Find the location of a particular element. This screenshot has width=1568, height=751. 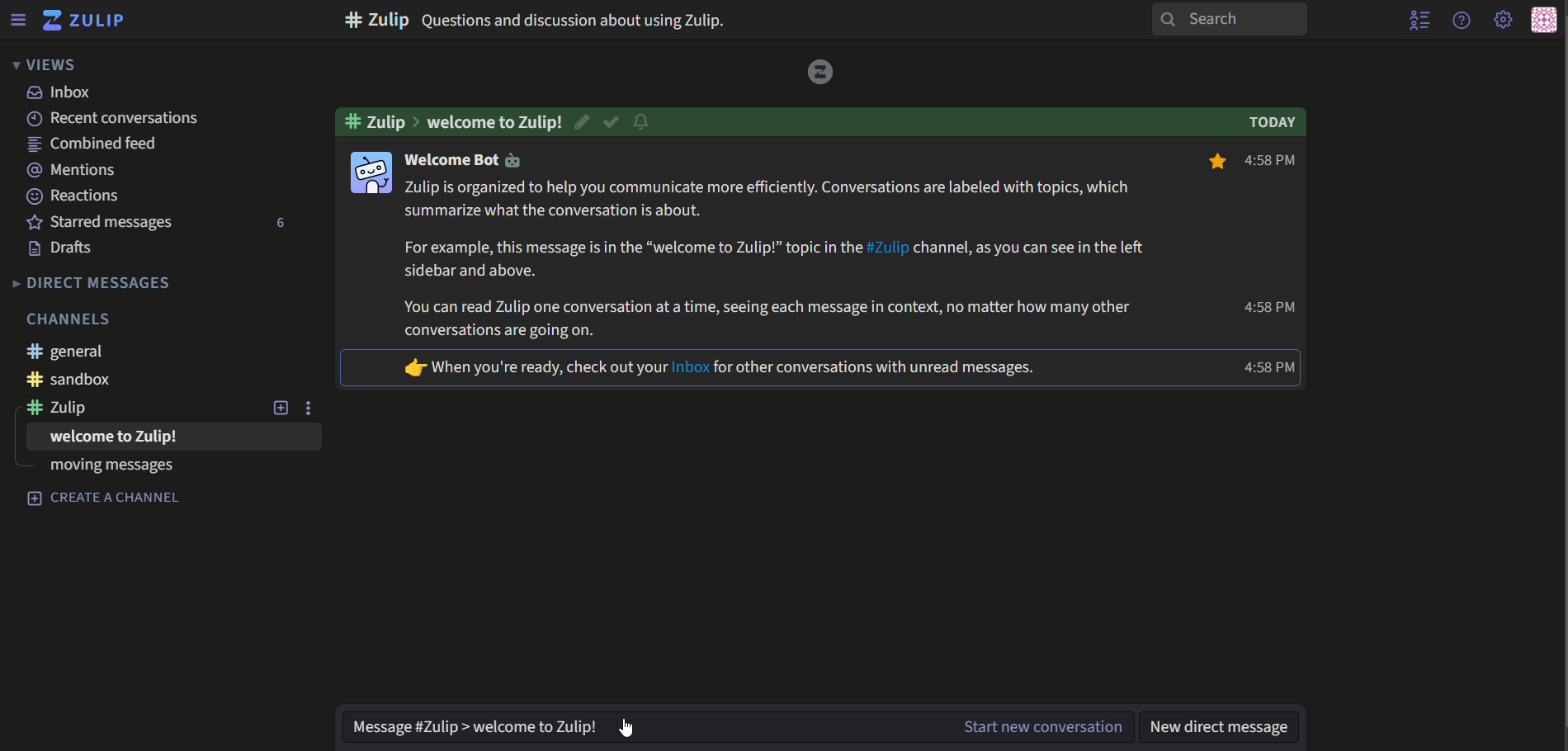

views is located at coordinates (42, 64).